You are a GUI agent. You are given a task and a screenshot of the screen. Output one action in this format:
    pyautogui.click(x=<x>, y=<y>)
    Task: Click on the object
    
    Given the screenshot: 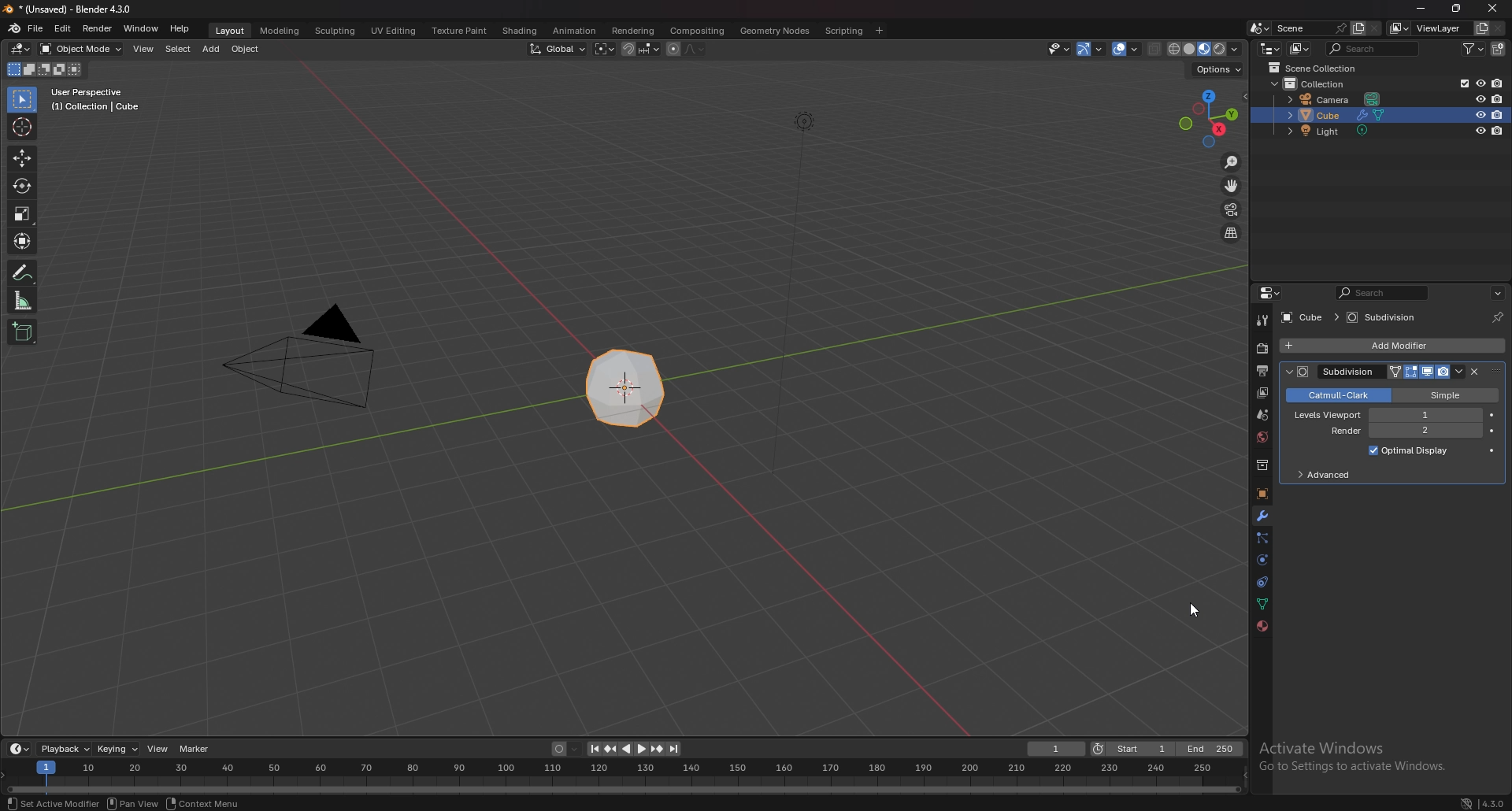 What is the action you would take?
    pyautogui.click(x=246, y=49)
    